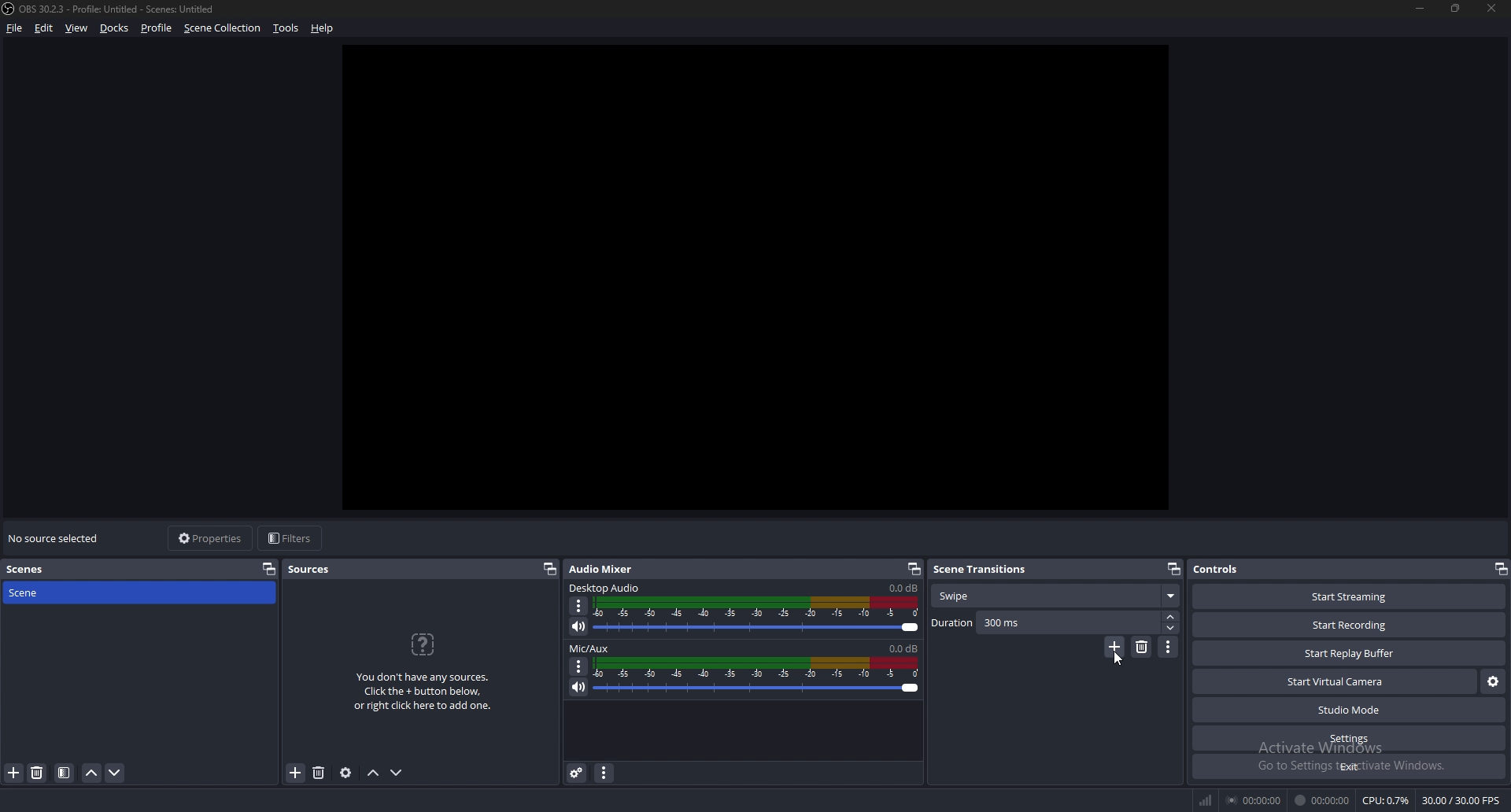 The width and height of the screenshot is (1511, 812). What do you see at coordinates (758, 616) in the screenshot?
I see `volume adjust` at bounding box center [758, 616].